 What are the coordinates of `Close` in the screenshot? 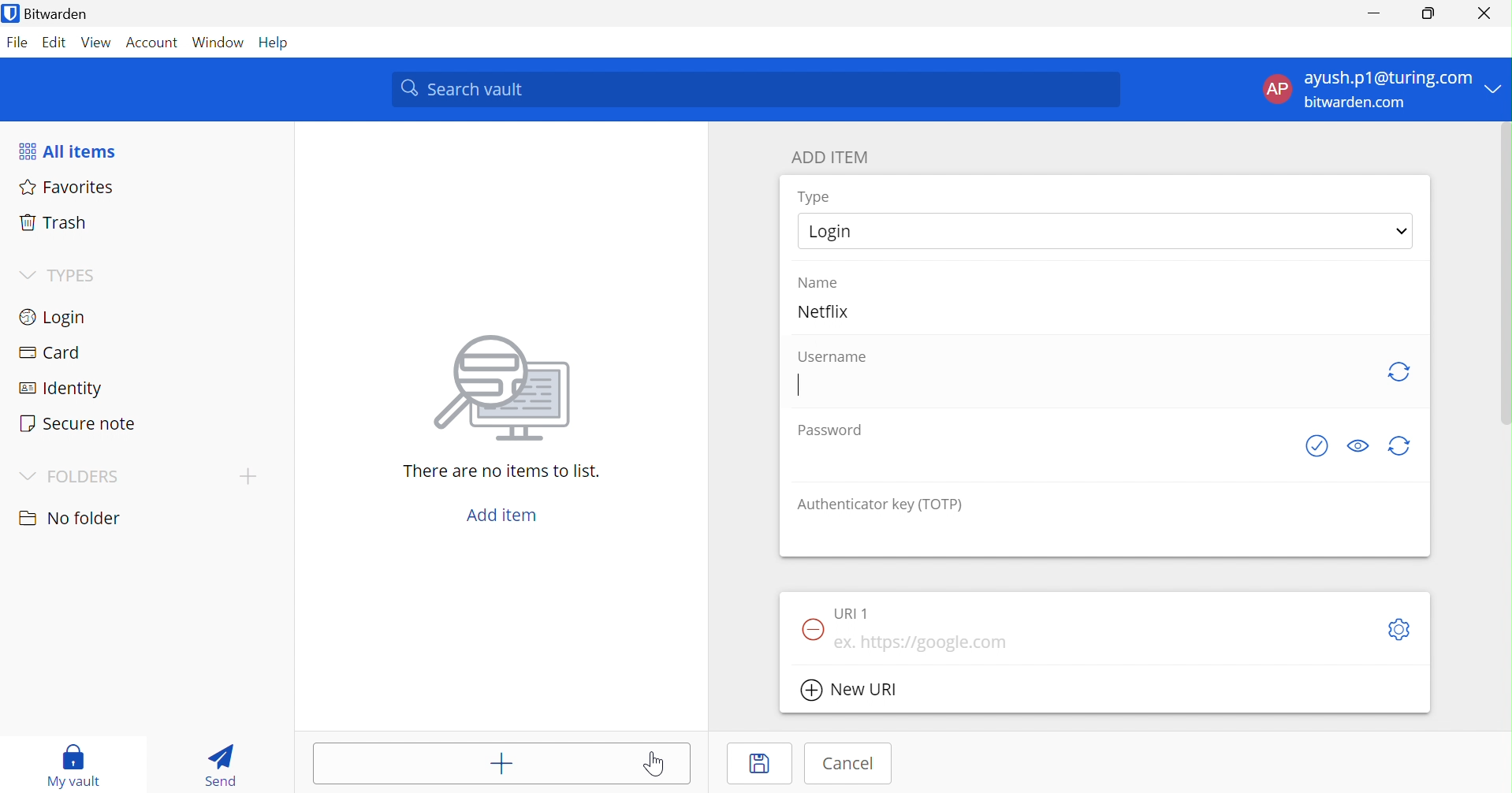 It's located at (1484, 13).